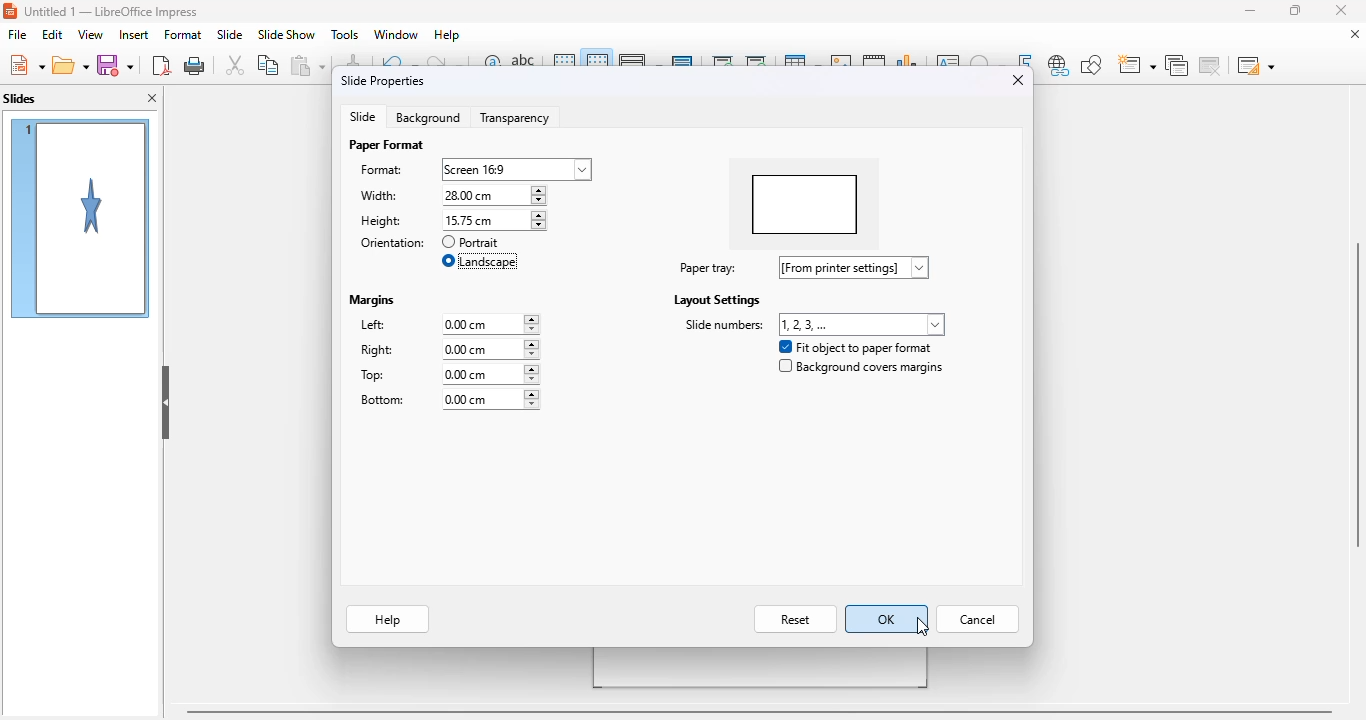 The width and height of the screenshot is (1366, 720). Describe the element at coordinates (480, 375) in the screenshot. I see `top: 0.00 cm` at that location.